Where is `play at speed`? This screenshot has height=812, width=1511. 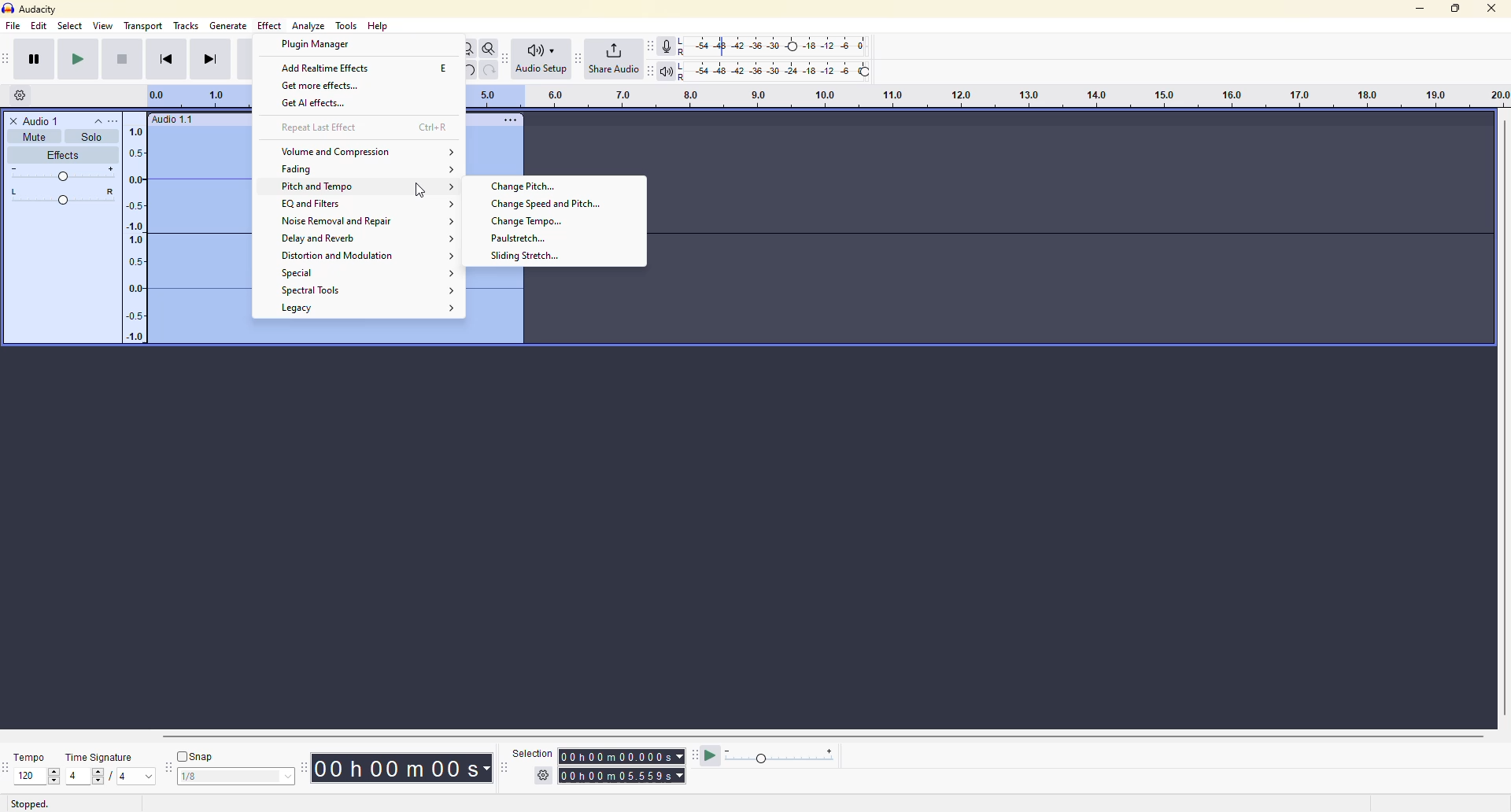
play at speed is located at coordinates (711, 755).